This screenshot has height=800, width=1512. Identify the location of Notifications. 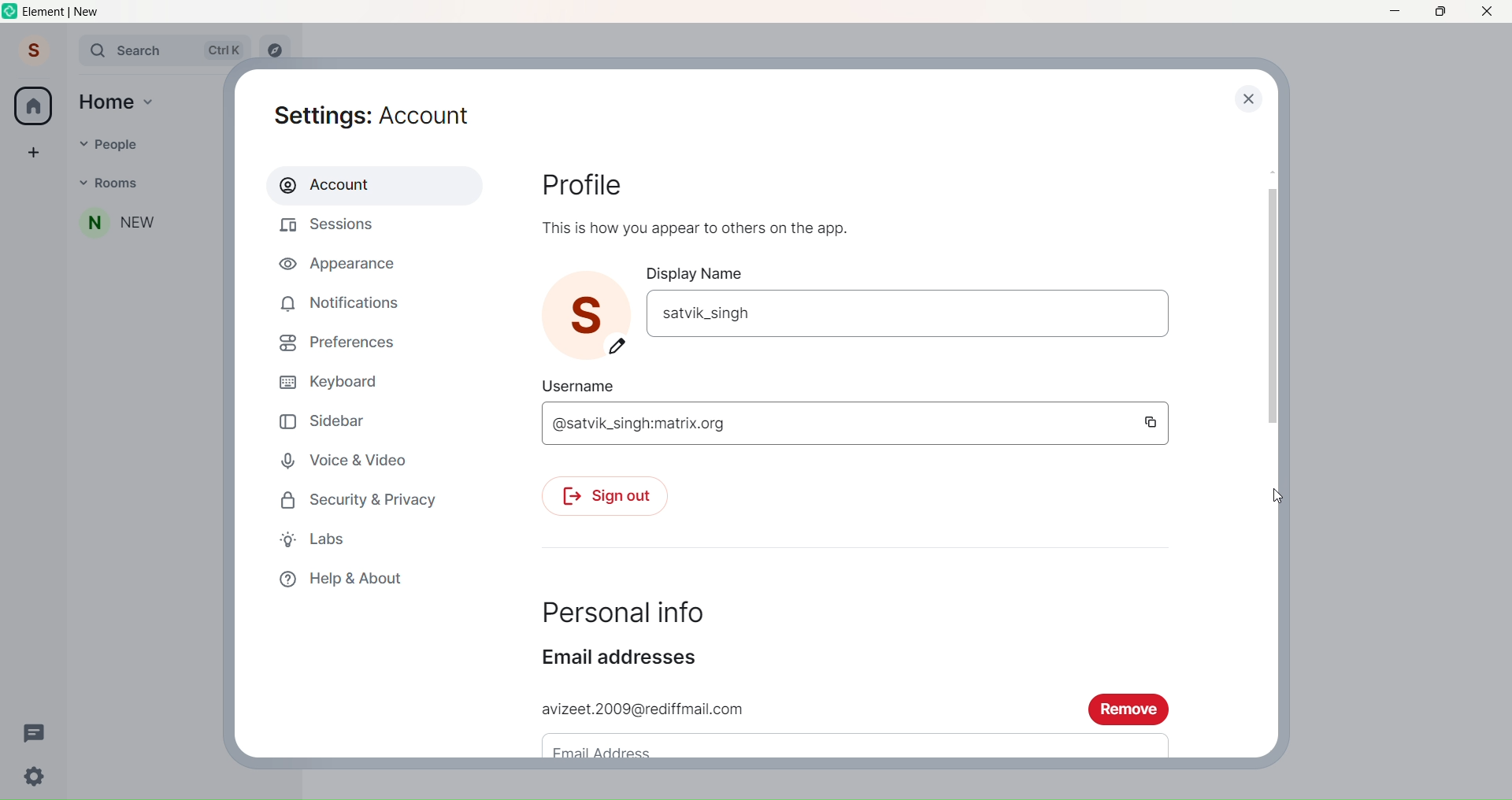
(346, 300).